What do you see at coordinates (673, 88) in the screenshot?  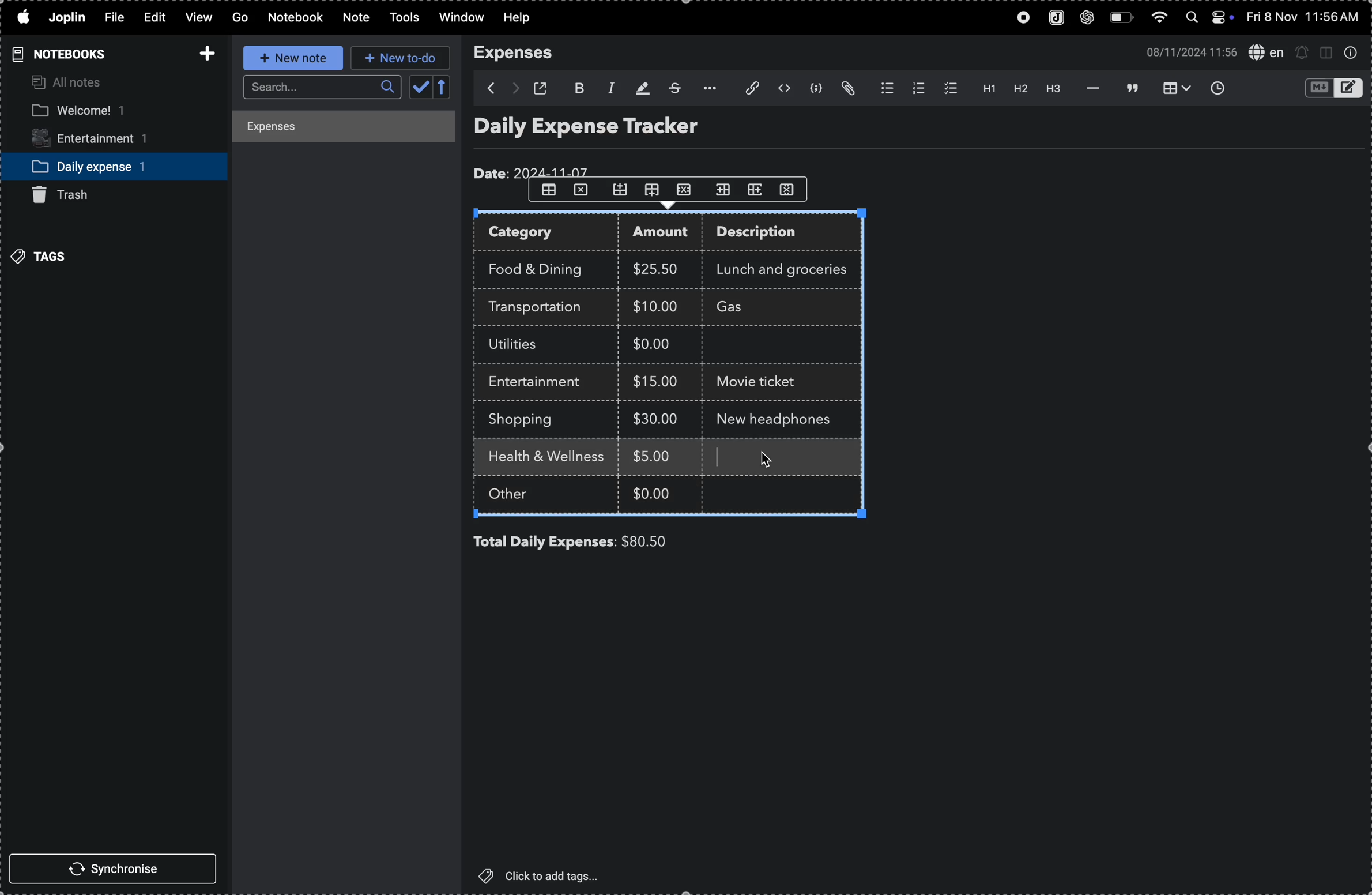 I see `strike through` at bounding box center [673, 88].